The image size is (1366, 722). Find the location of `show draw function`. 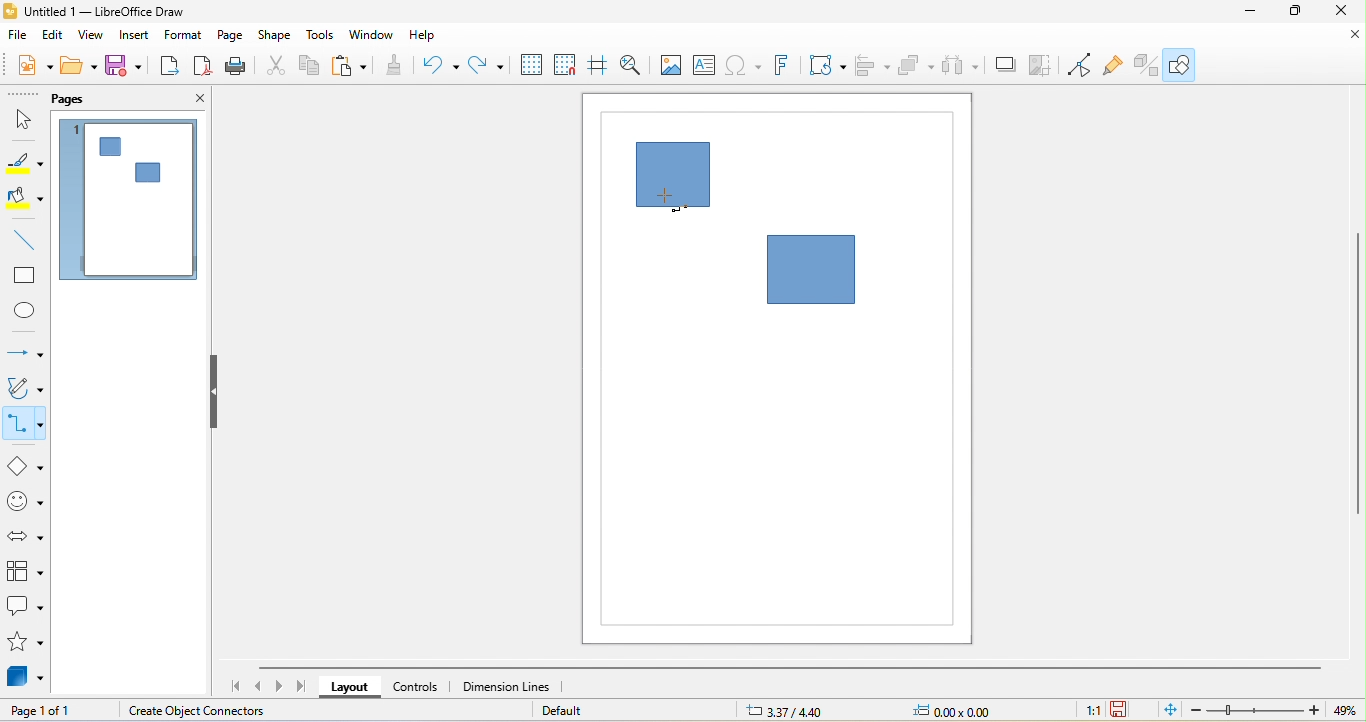

show draw function is located at coordinates (1187, 64).